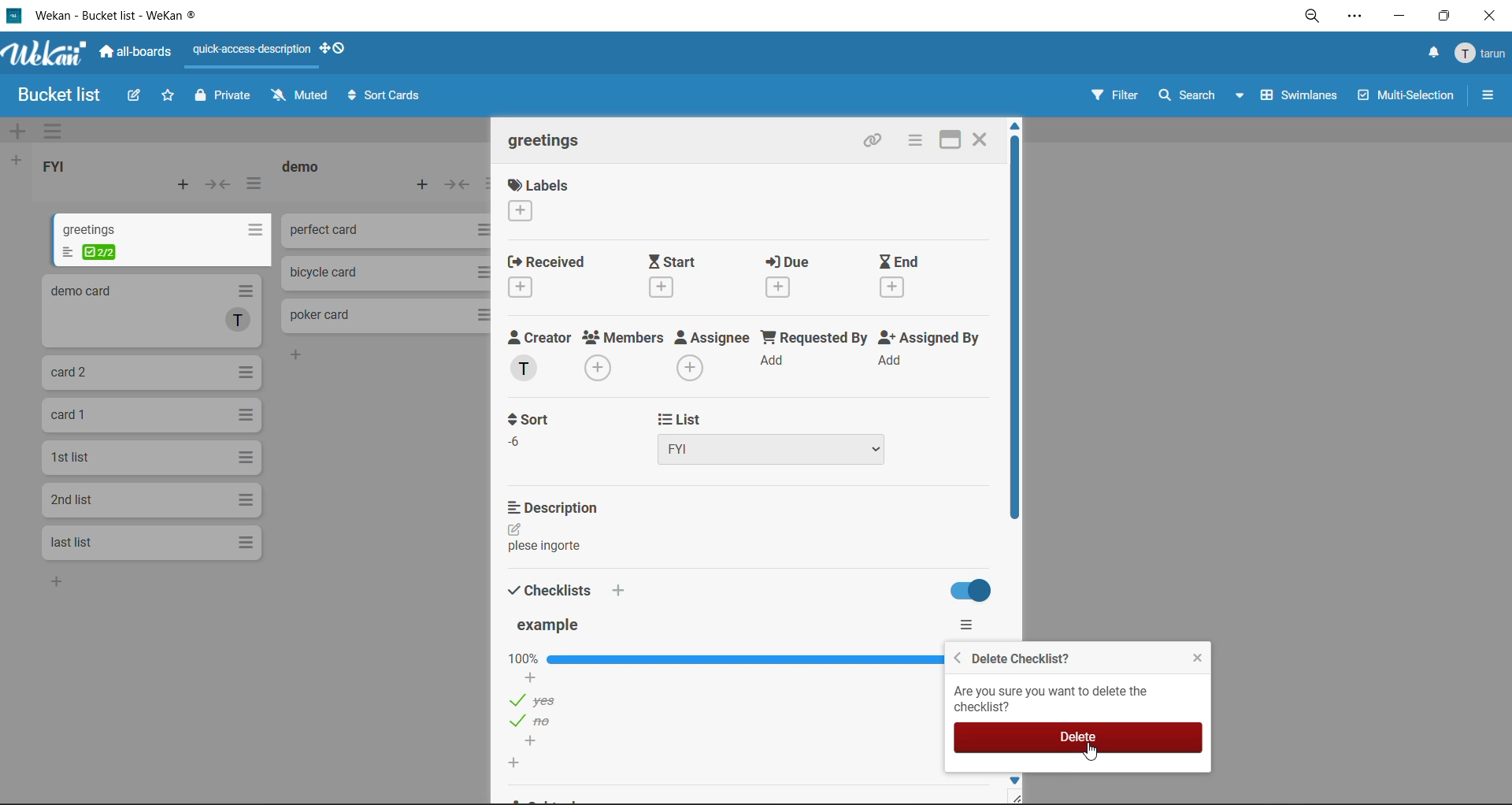 The height and width of the screenshot is (805, 1512). What do you see at coordinates (1196, 654) in the screenshot?
I see `close` at bounding box center [1196, 654].